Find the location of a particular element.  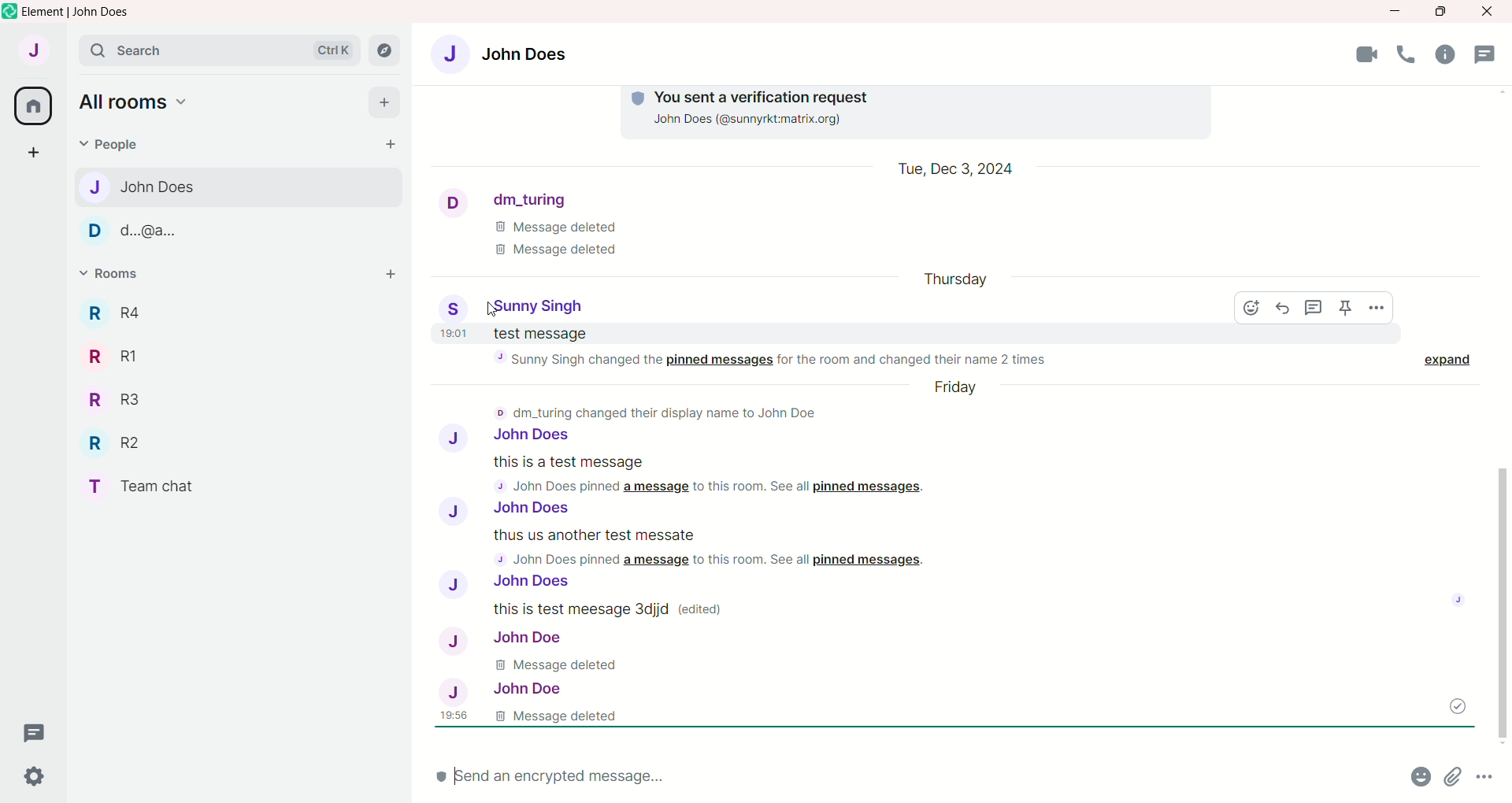

expand is located at coordinates (1450, 358).